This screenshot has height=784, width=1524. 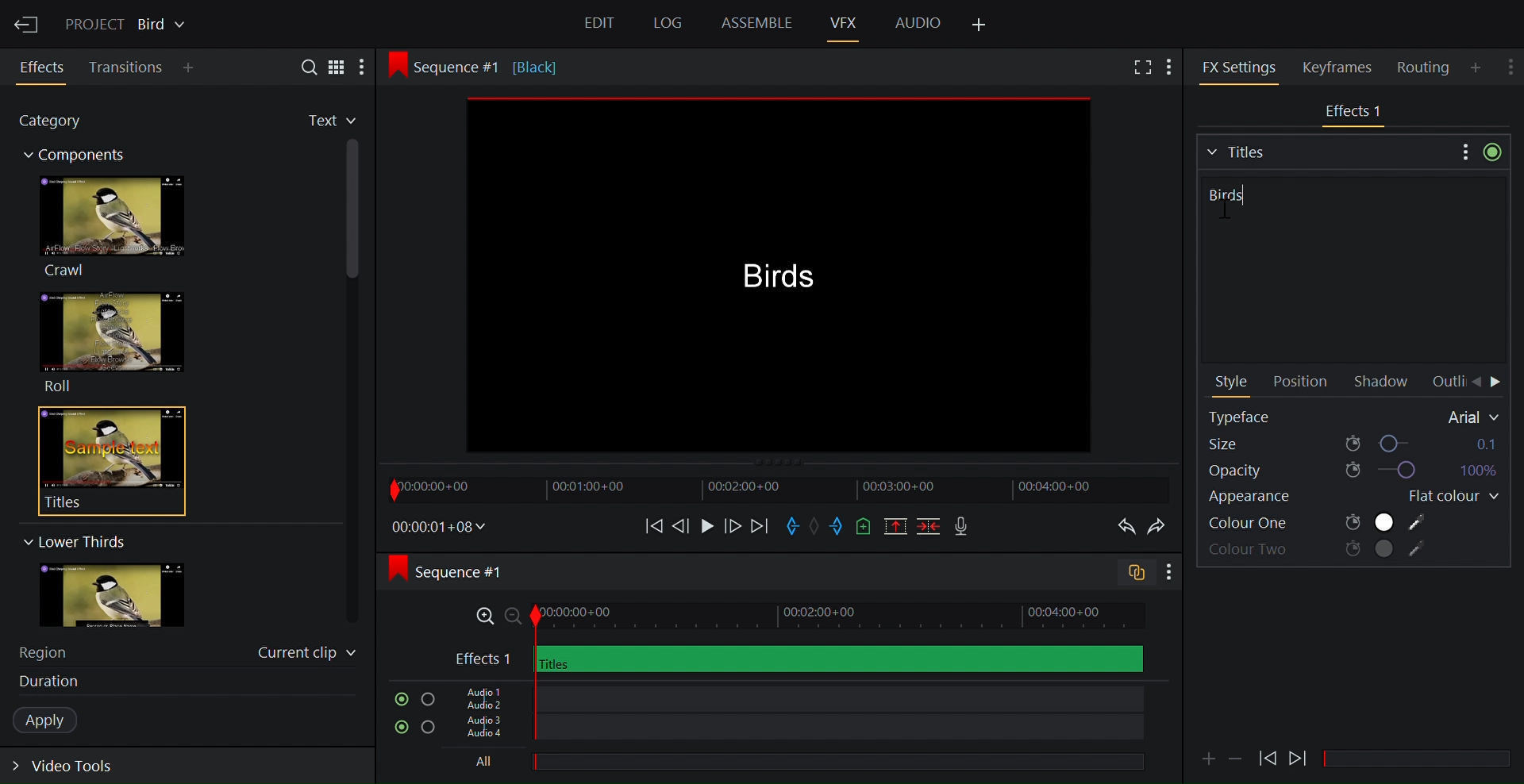 What do you see at coordinates (796, 731) in the screenshot?
I see `Audio Track 3, Audio Track 4` at bounding box center [796, 731].